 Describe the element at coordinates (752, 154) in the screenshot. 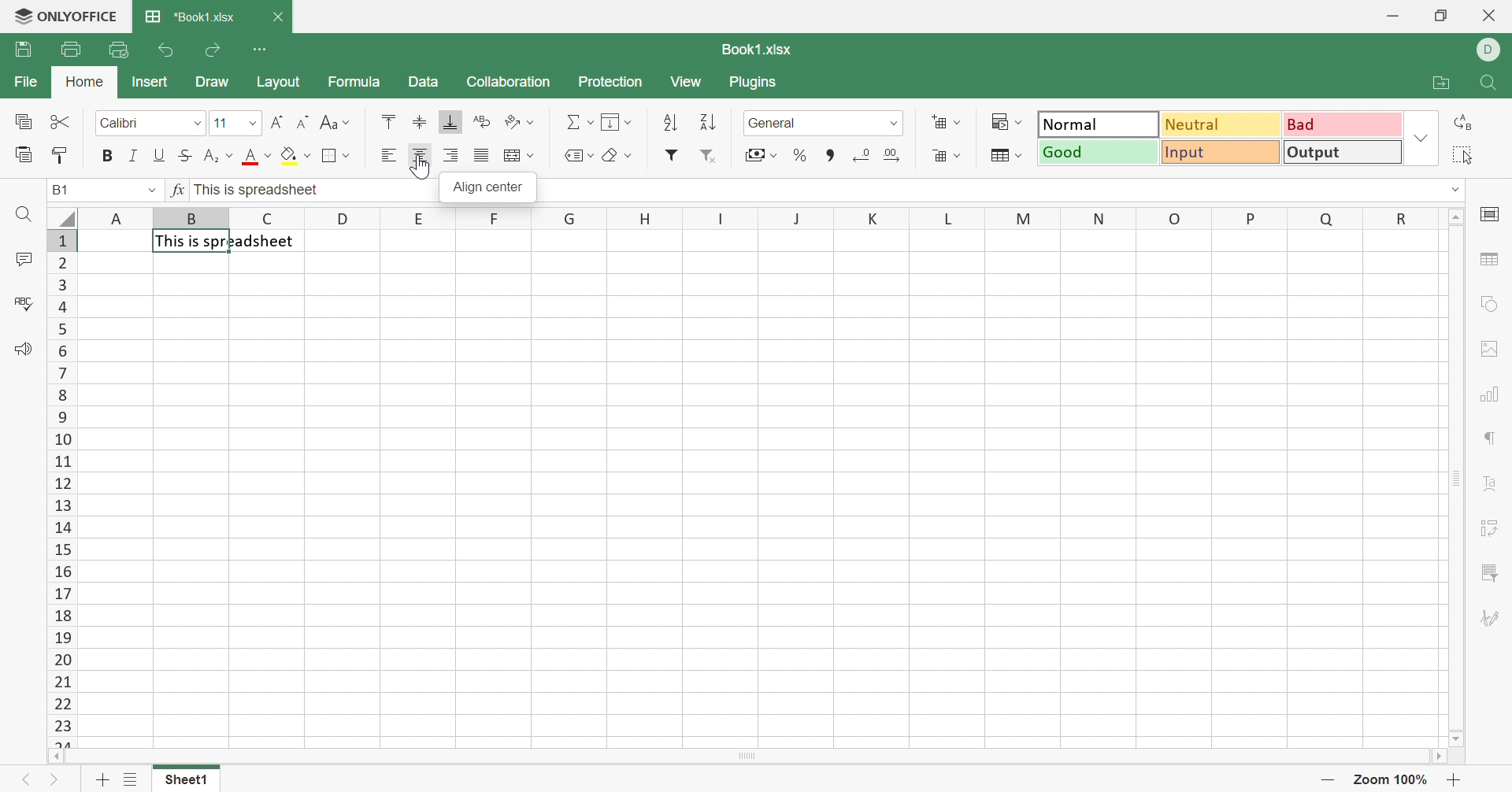

I see `Accounting styles` at that location.